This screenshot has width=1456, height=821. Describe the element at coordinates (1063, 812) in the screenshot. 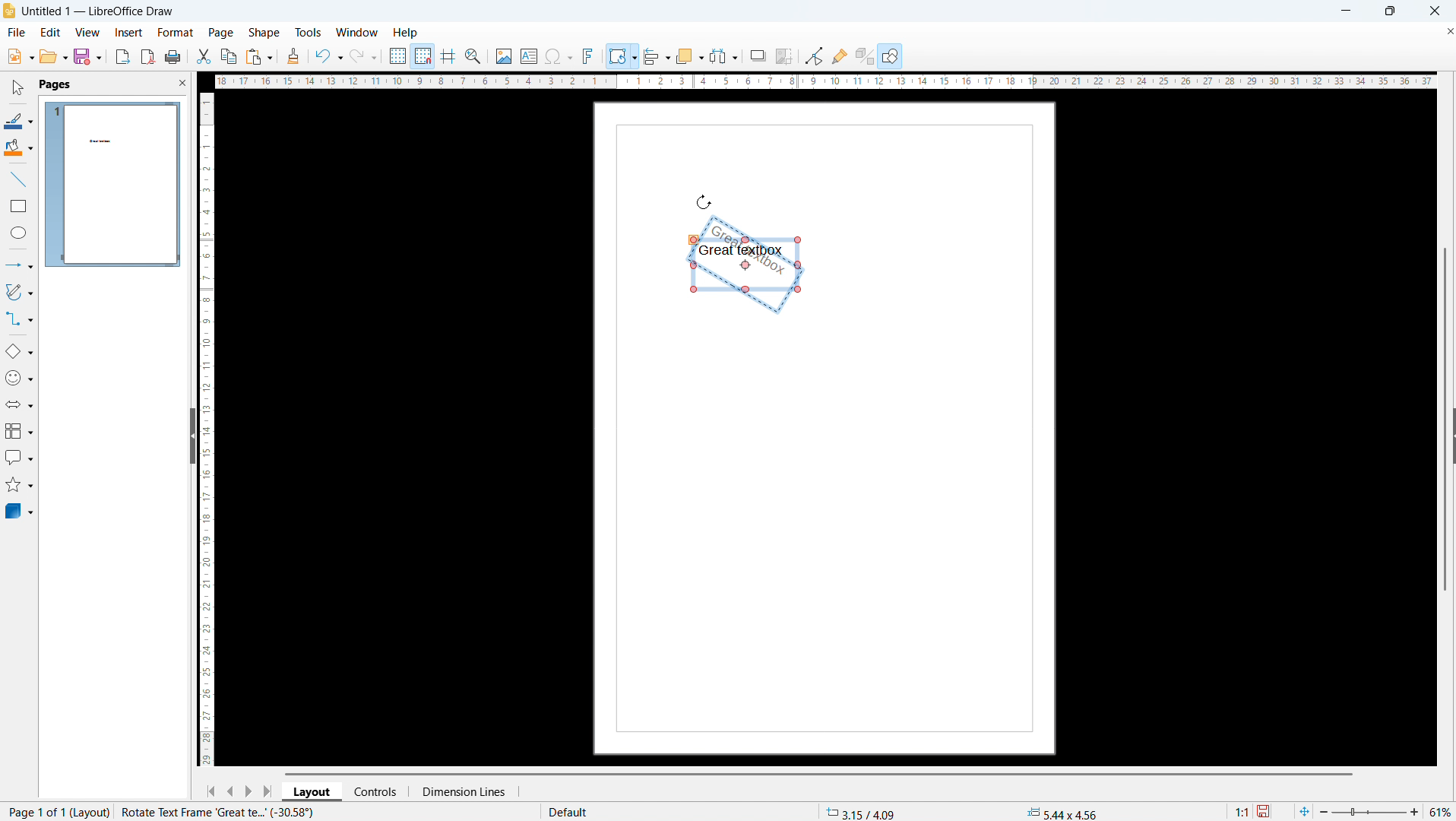

I see `object dimension` at that location.